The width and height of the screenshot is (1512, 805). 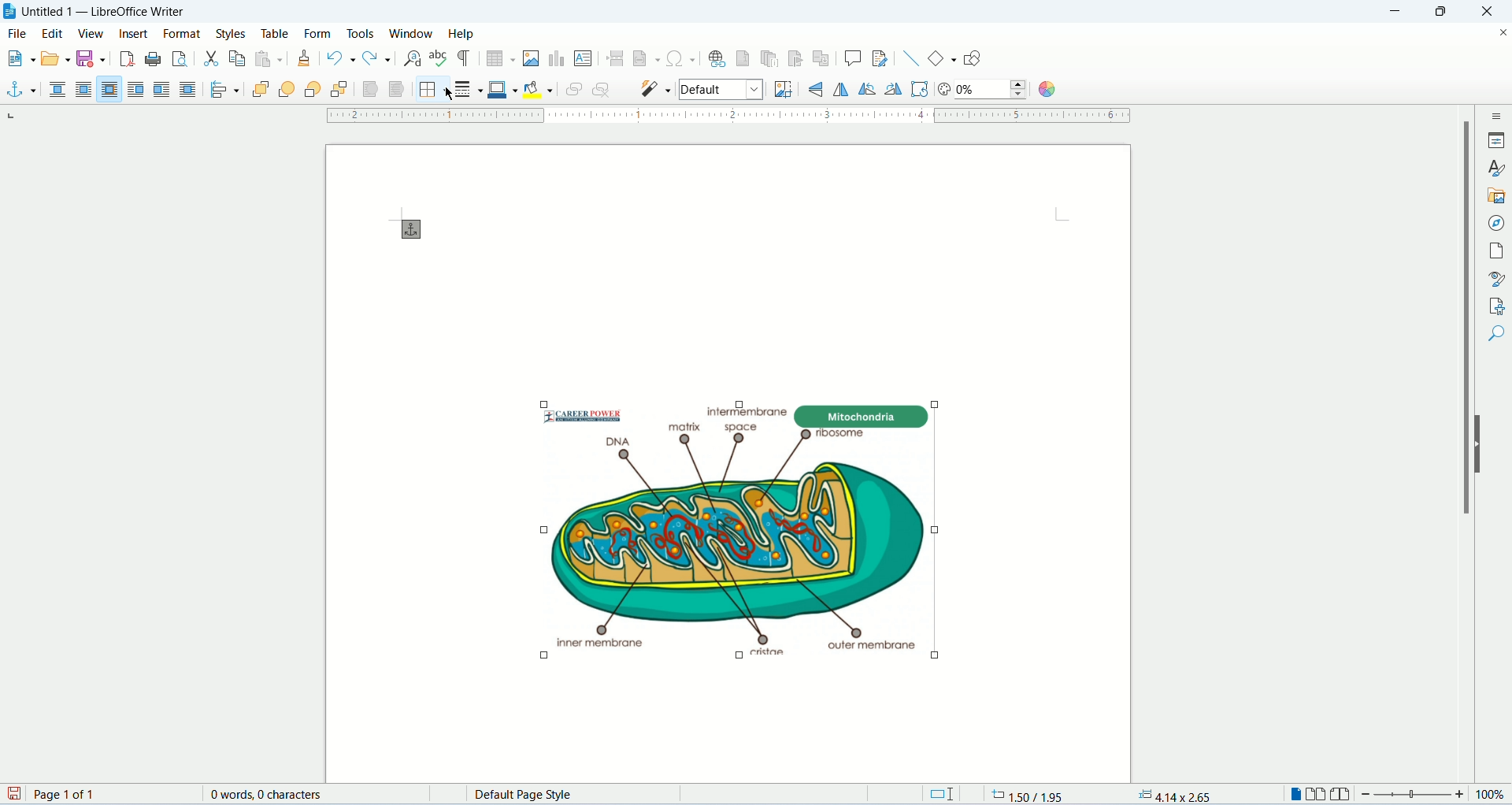 What do you see at coordinates (693, 525) in the screenshot?
I see `selected image` at bounding box center [693, 525].